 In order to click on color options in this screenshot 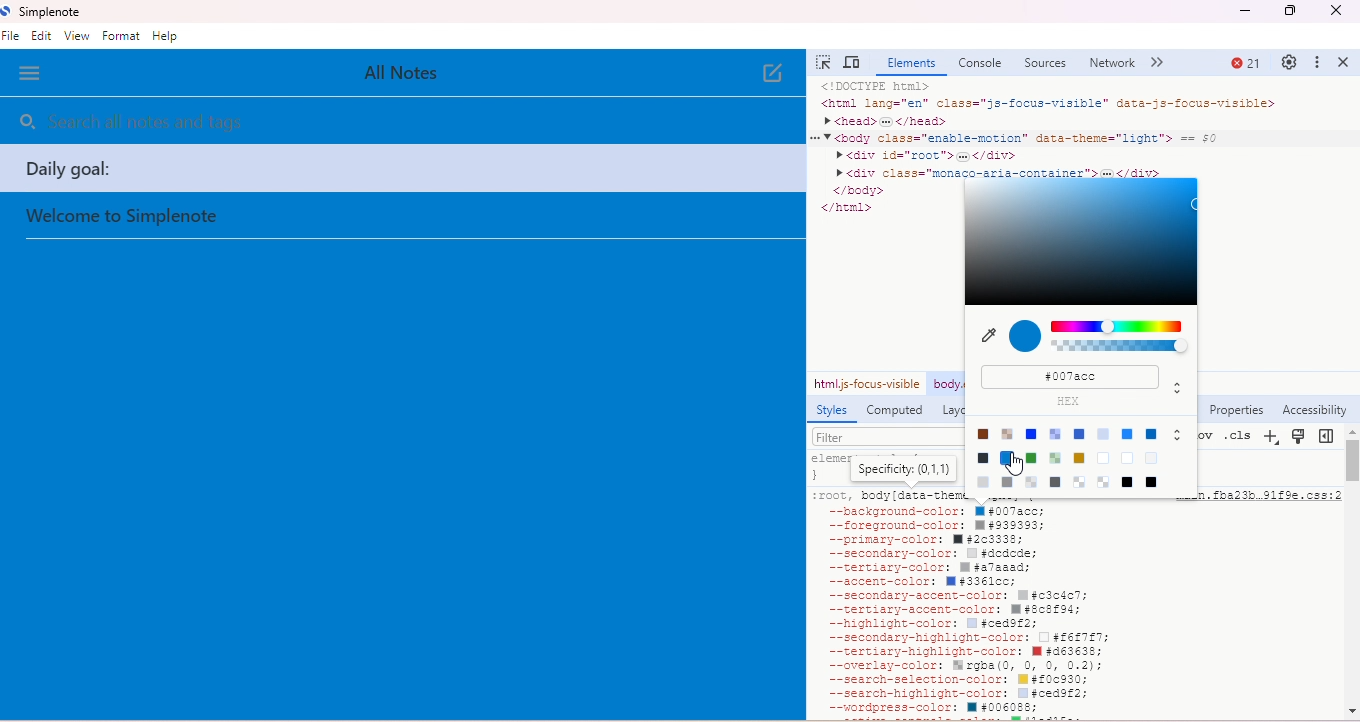, I will do `click(1079, 459)`.